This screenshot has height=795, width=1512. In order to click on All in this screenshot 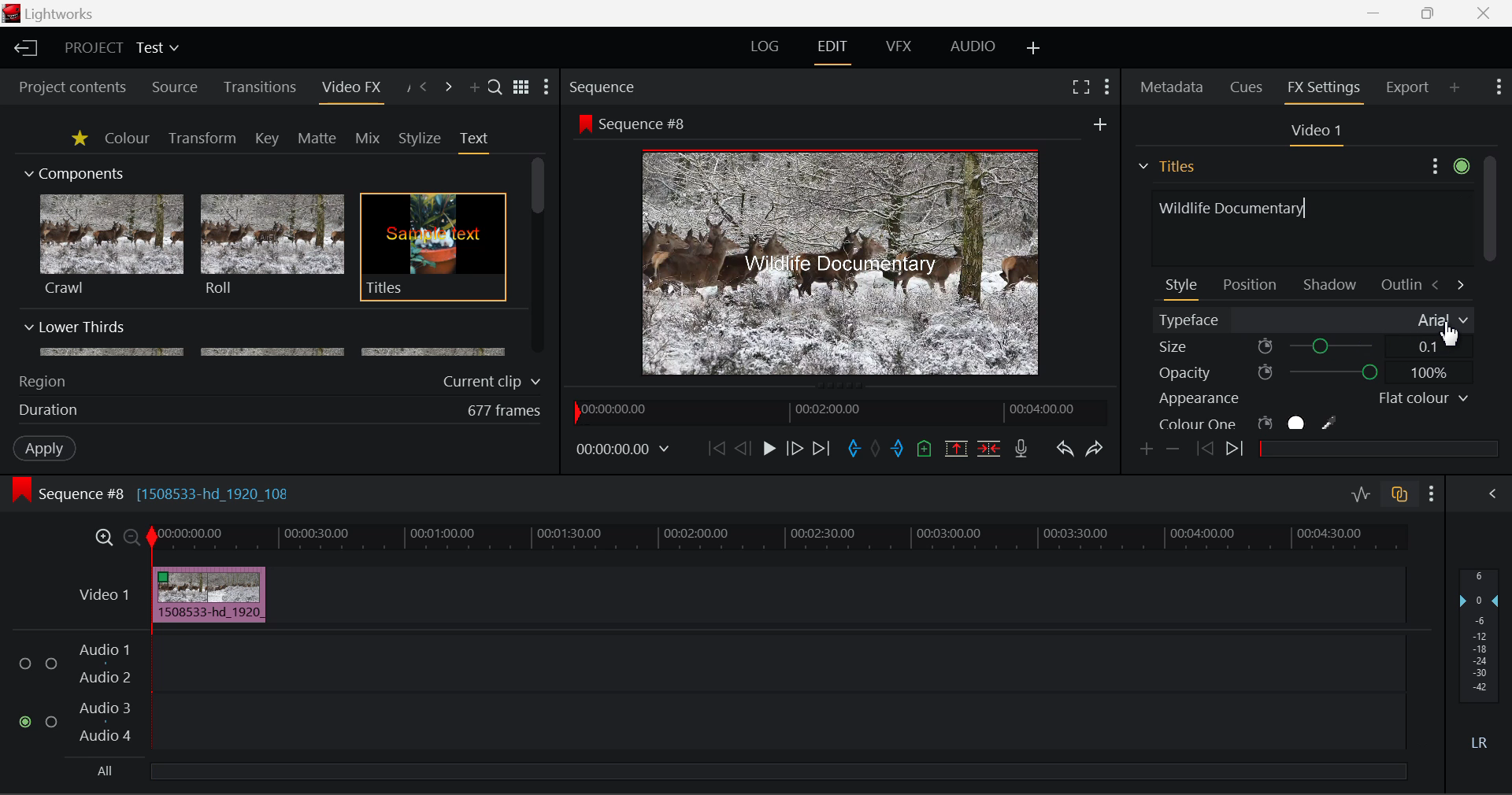, I will do `click(106, 771)`.